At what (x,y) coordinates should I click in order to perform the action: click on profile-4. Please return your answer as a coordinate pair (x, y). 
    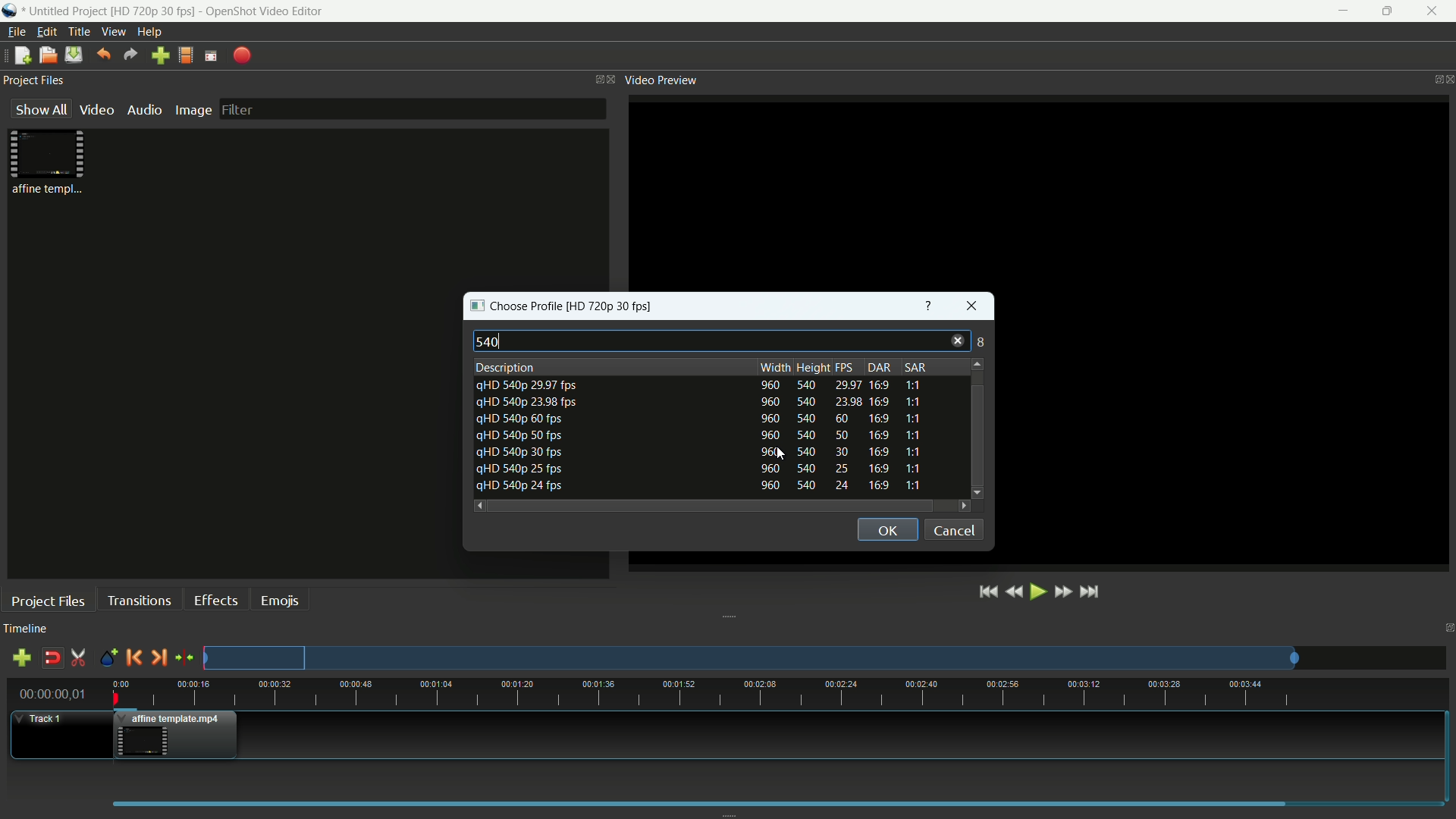
    Looking at the image, I should click on (703, 418).